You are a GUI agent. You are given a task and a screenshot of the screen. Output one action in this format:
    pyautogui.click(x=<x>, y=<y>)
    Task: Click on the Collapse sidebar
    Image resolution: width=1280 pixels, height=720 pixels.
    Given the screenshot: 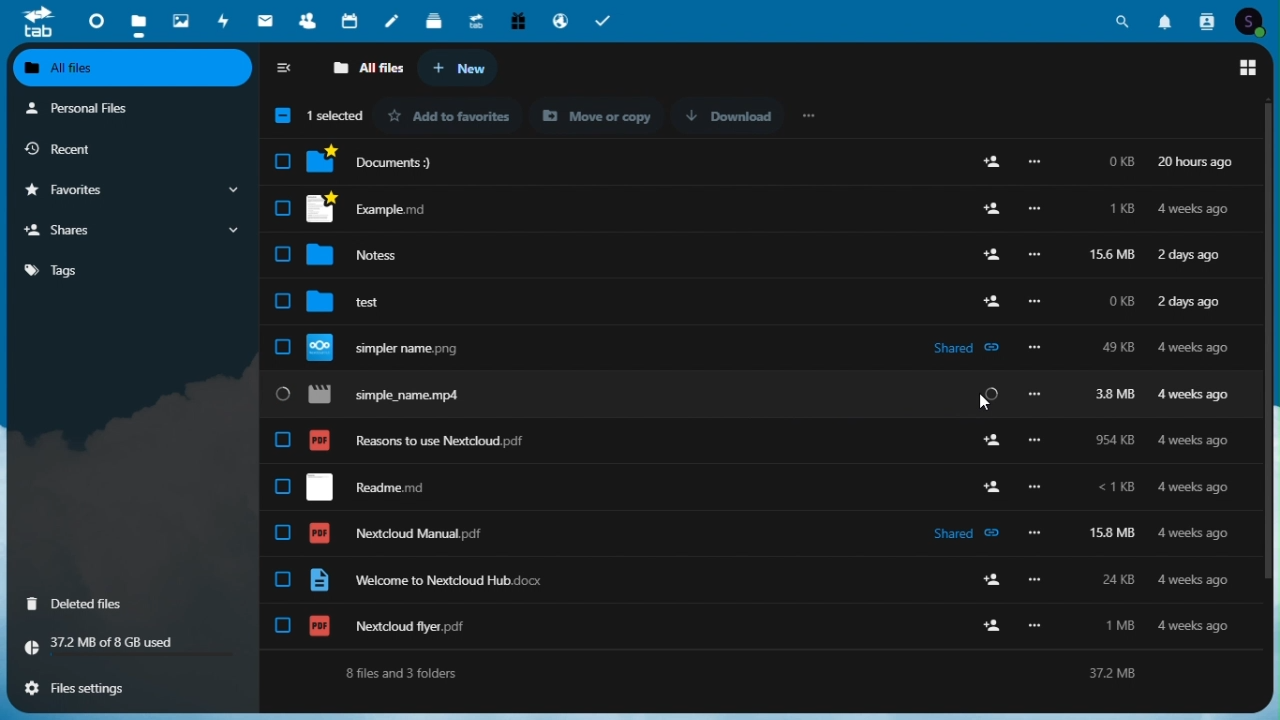 What is the action you would take?
    pyautogui.click(x=287, y=69)
    